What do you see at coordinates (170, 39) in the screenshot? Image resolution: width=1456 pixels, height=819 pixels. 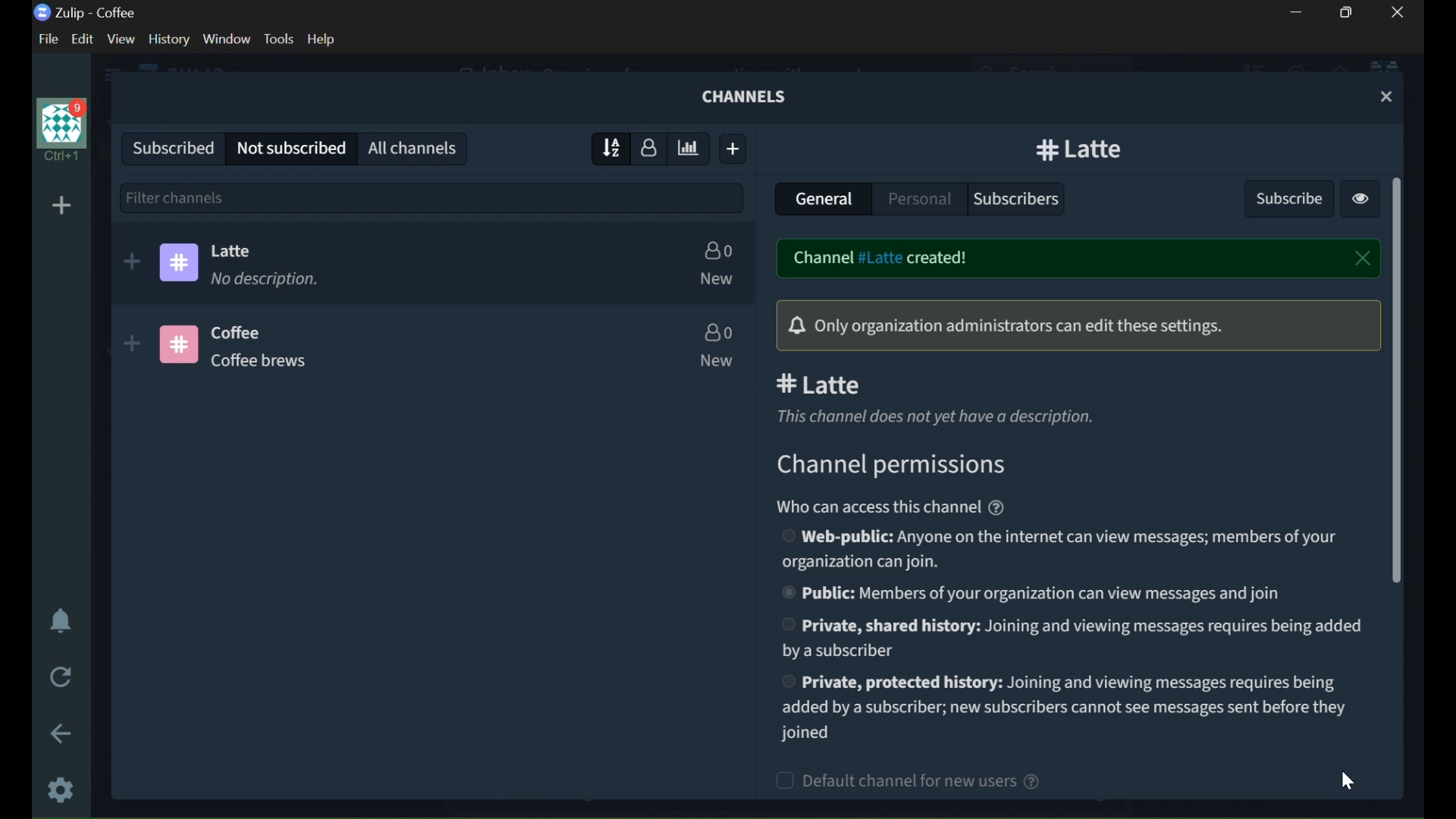 I see `HISTORY` at bounding box center [170, 39].